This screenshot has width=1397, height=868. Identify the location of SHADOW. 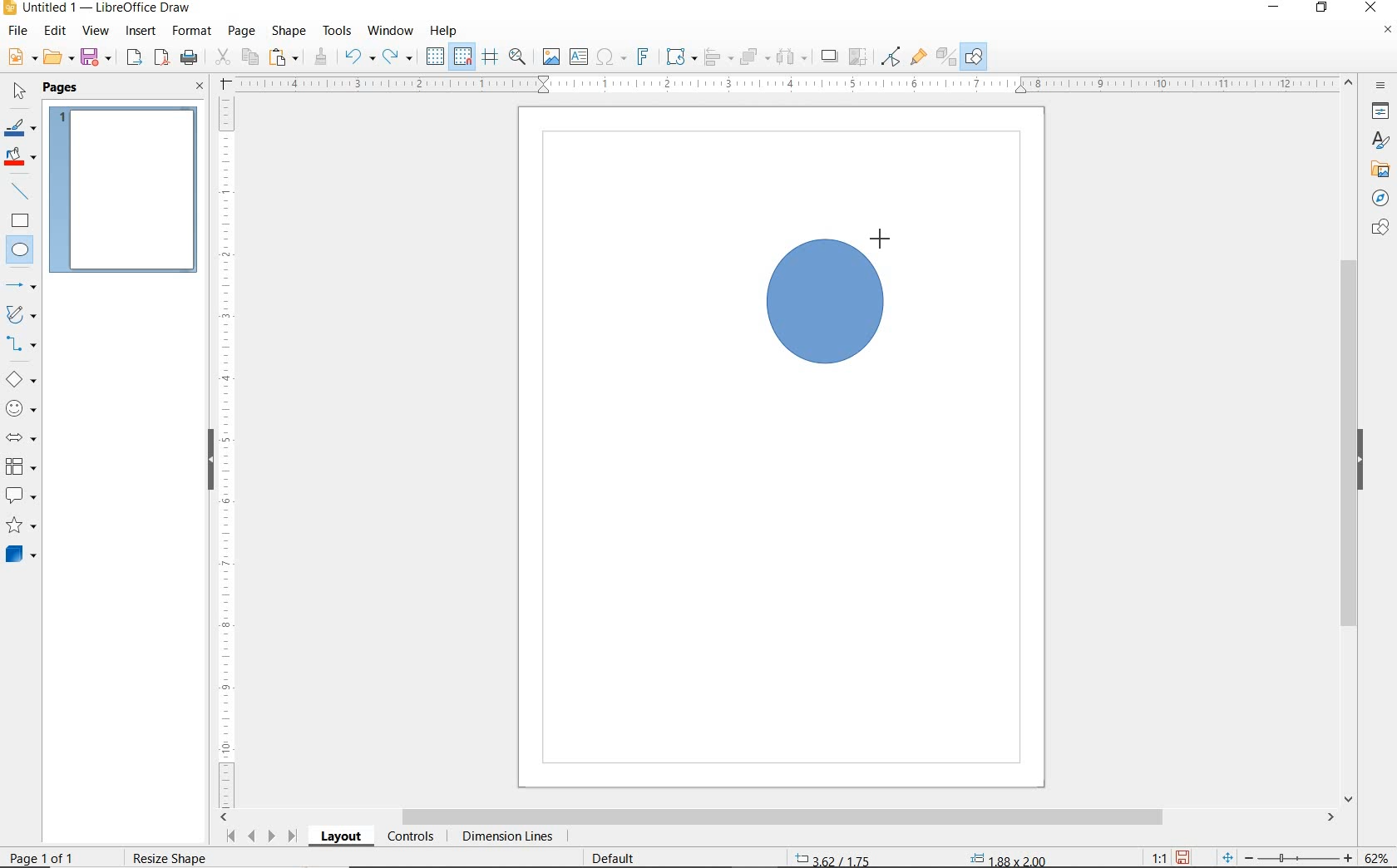
(830, 58).